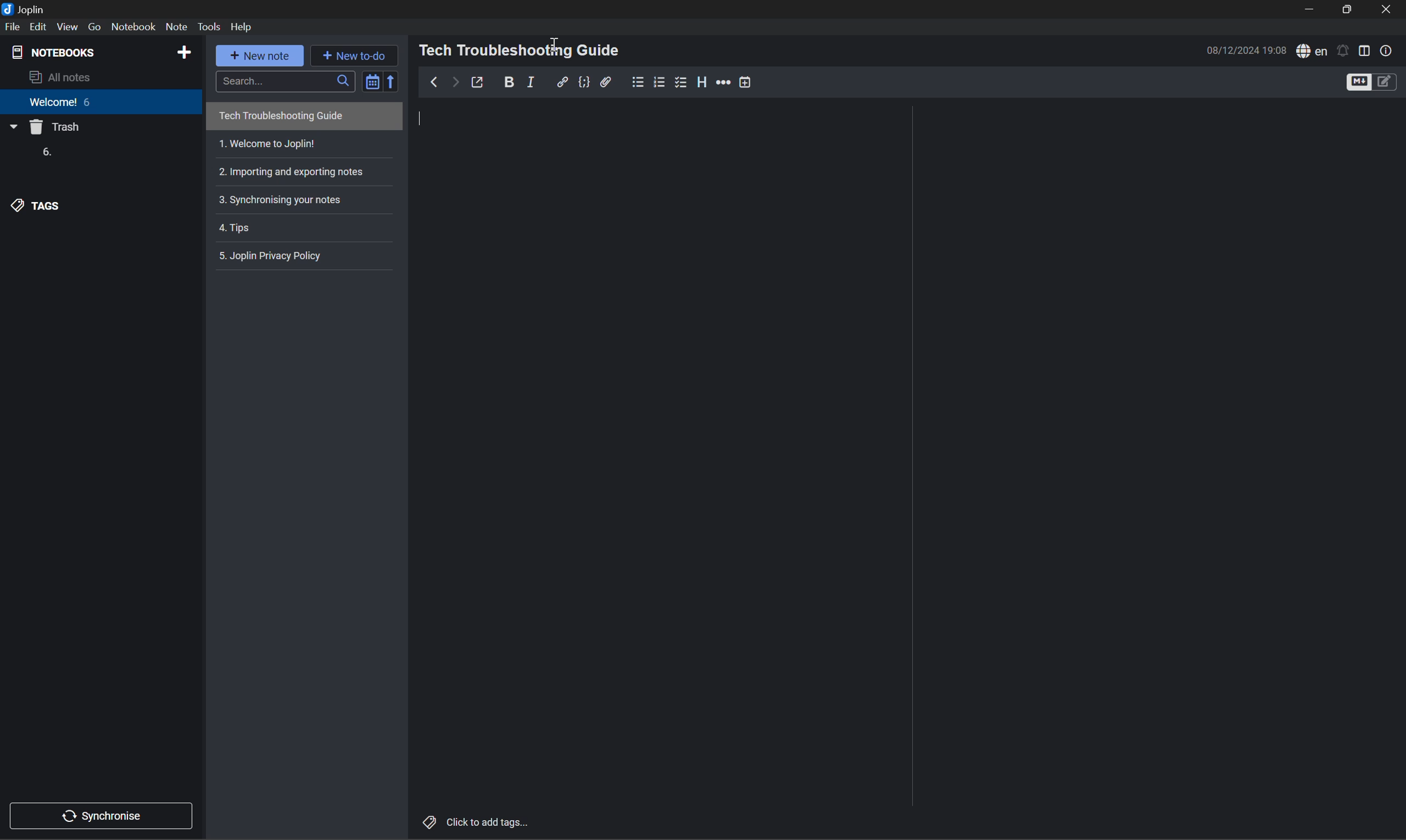  What do you see at coordinates (1349, 10) in the screenshot?
I see `Restore Down` at bounding box center [1349, 10].